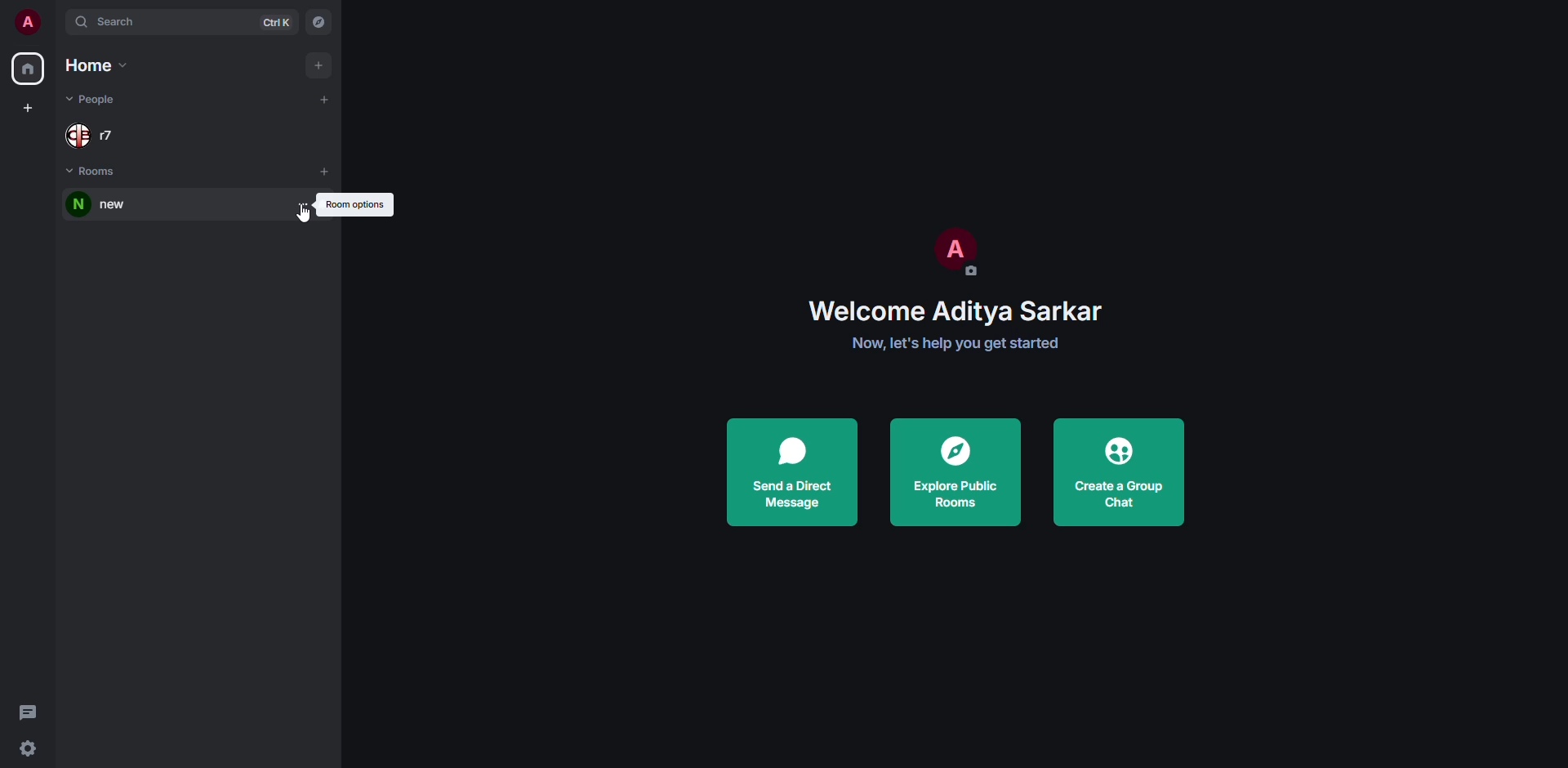 The image size is (1568, 768). Describe the element at coordinates (93, 140) in the screenshot. I see `people` at that location.